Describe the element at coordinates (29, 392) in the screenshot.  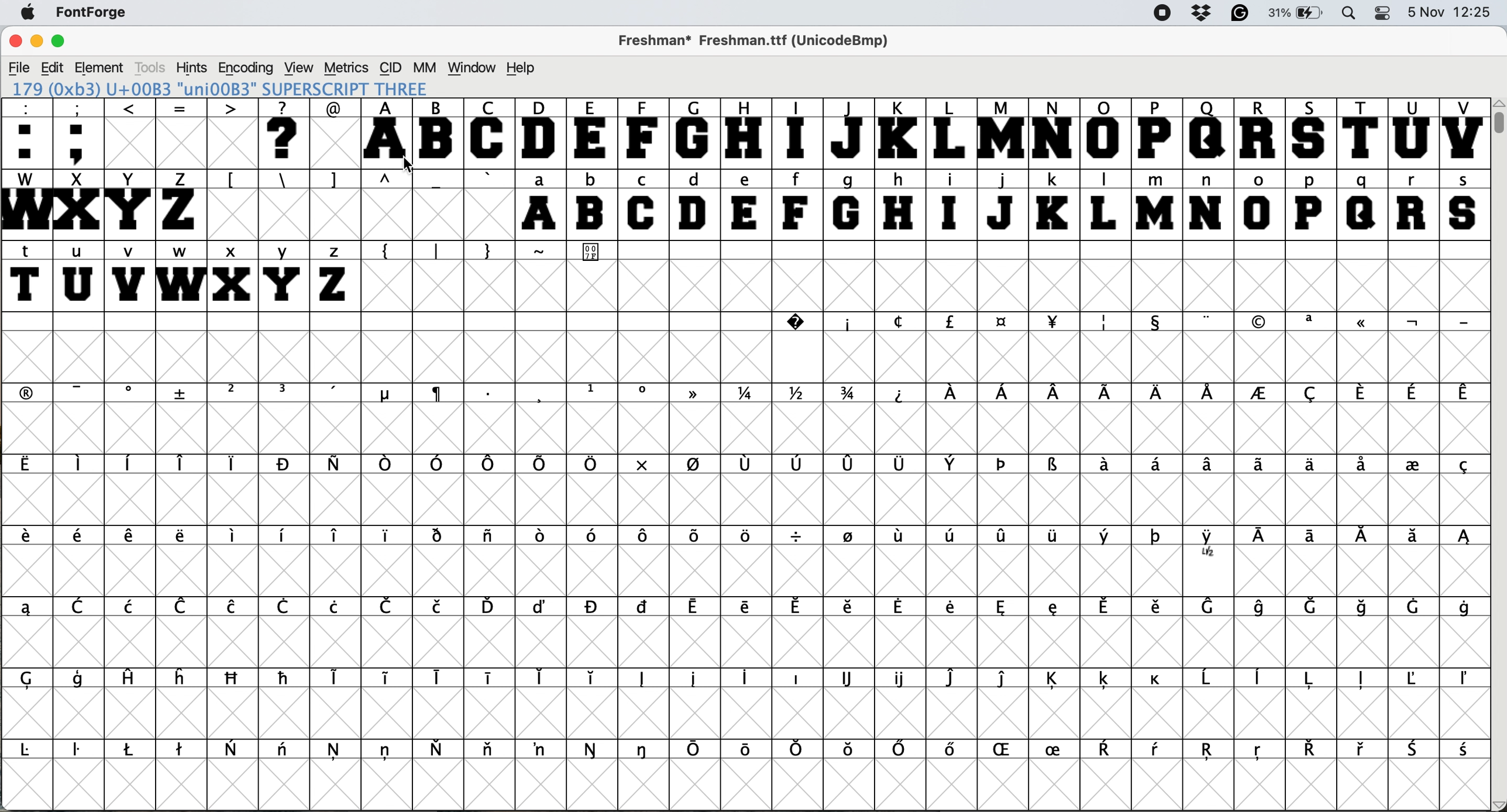
I see `symbol` at that location.